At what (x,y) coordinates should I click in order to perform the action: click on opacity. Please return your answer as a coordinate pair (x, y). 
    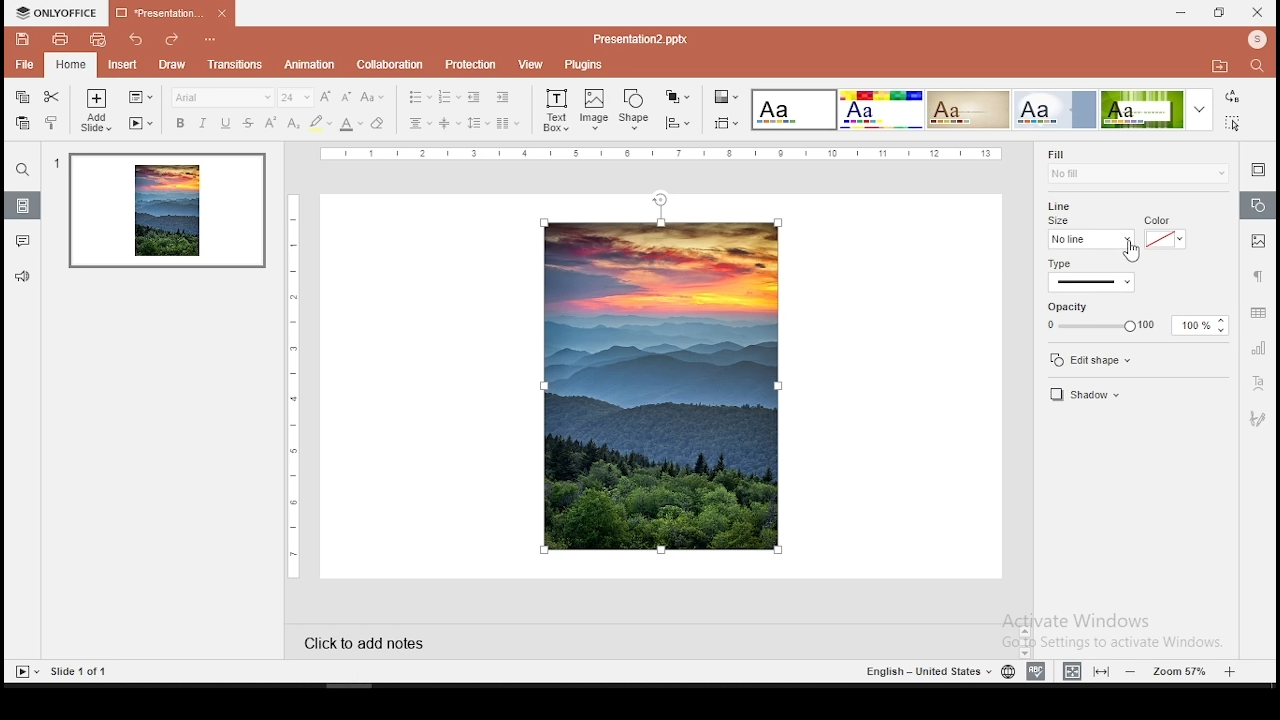
    Looking at the image, I should click on (1135, 317).